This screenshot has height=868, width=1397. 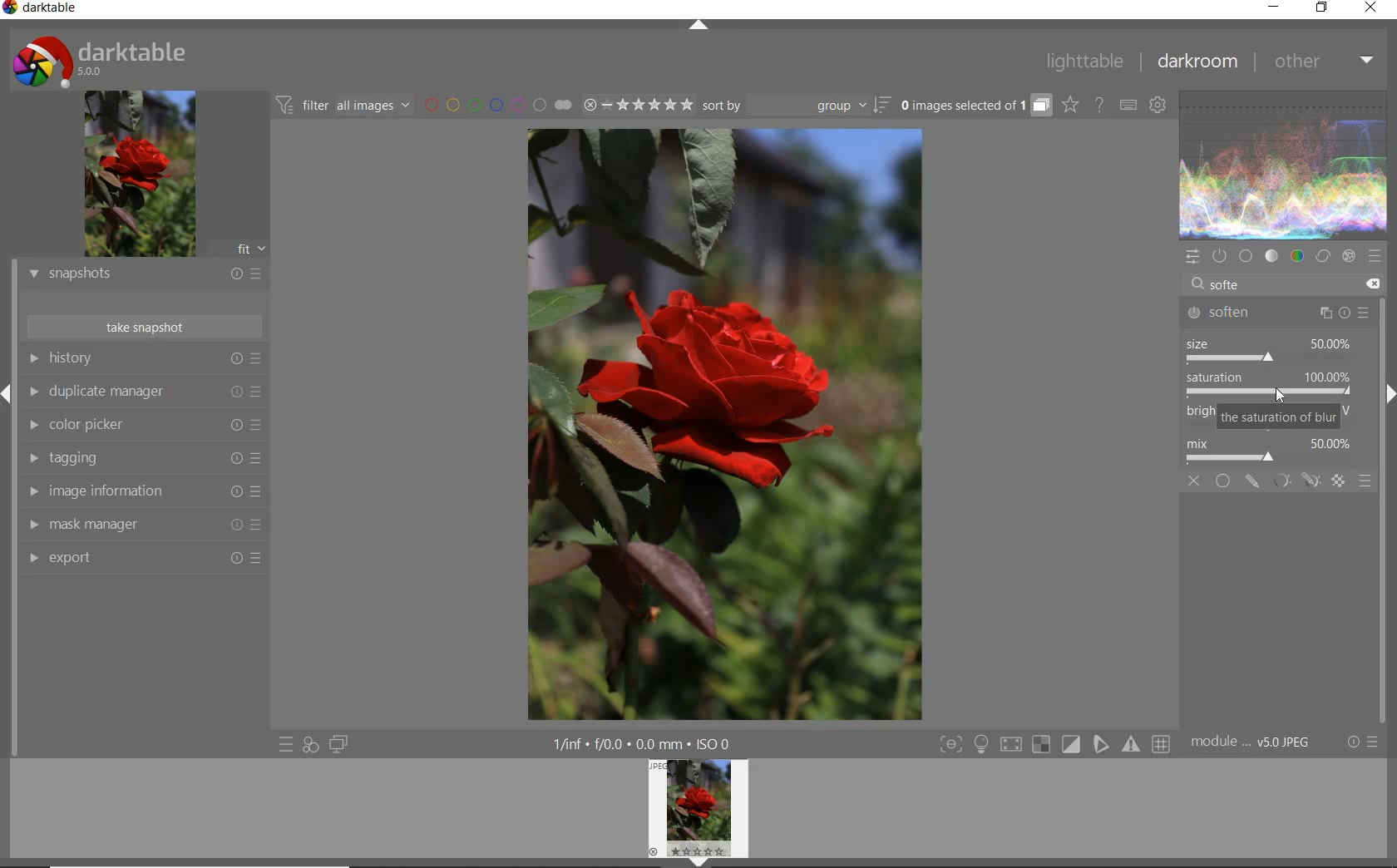 What do you see at coordinates (1197, 64) in the screenshot?
I see `darkroom` at bounding box center [1197, 64].